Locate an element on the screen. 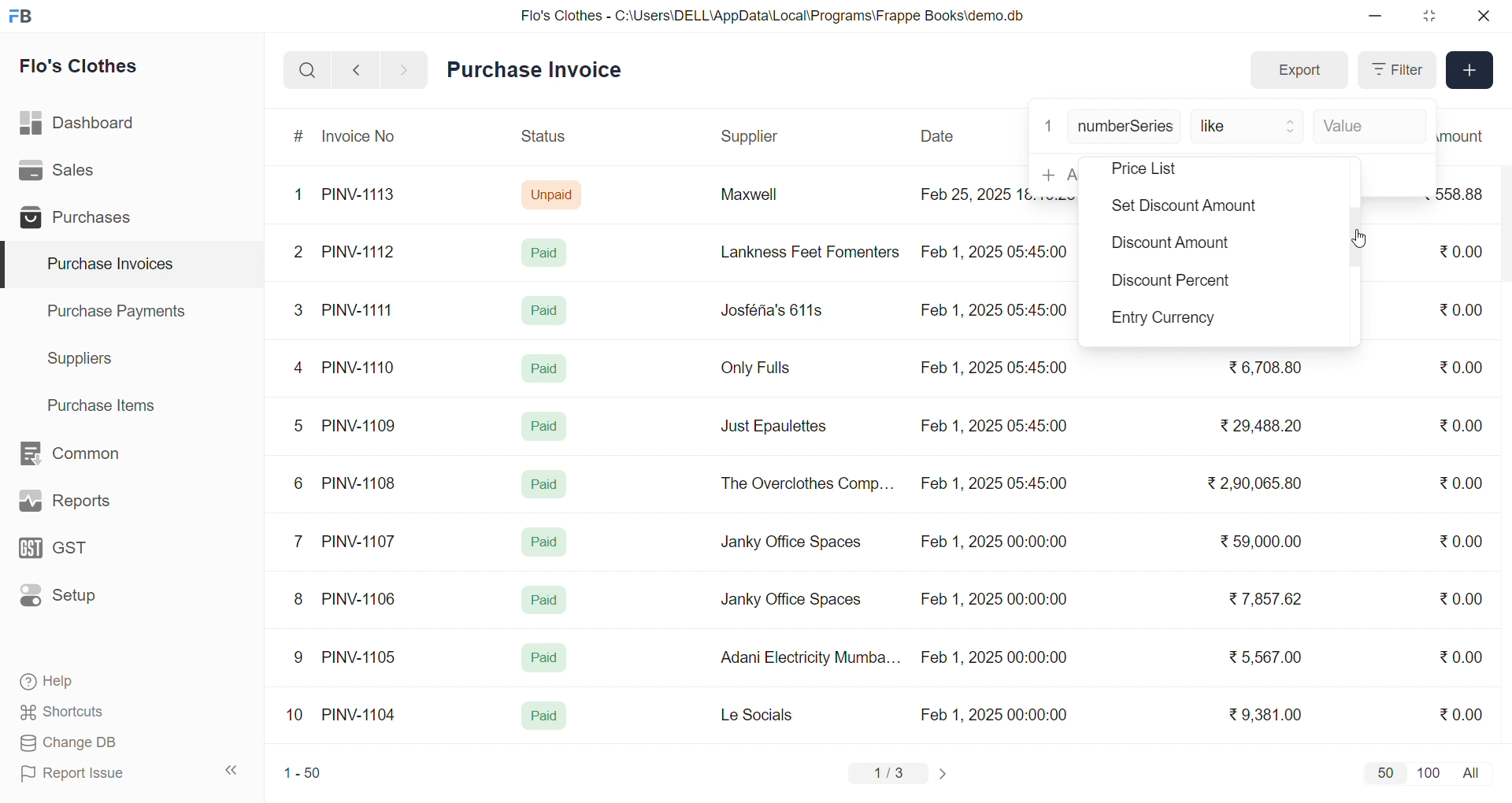 This screenshot has height=803, width=1512. Le Socials is located at coordinates (770, 714).